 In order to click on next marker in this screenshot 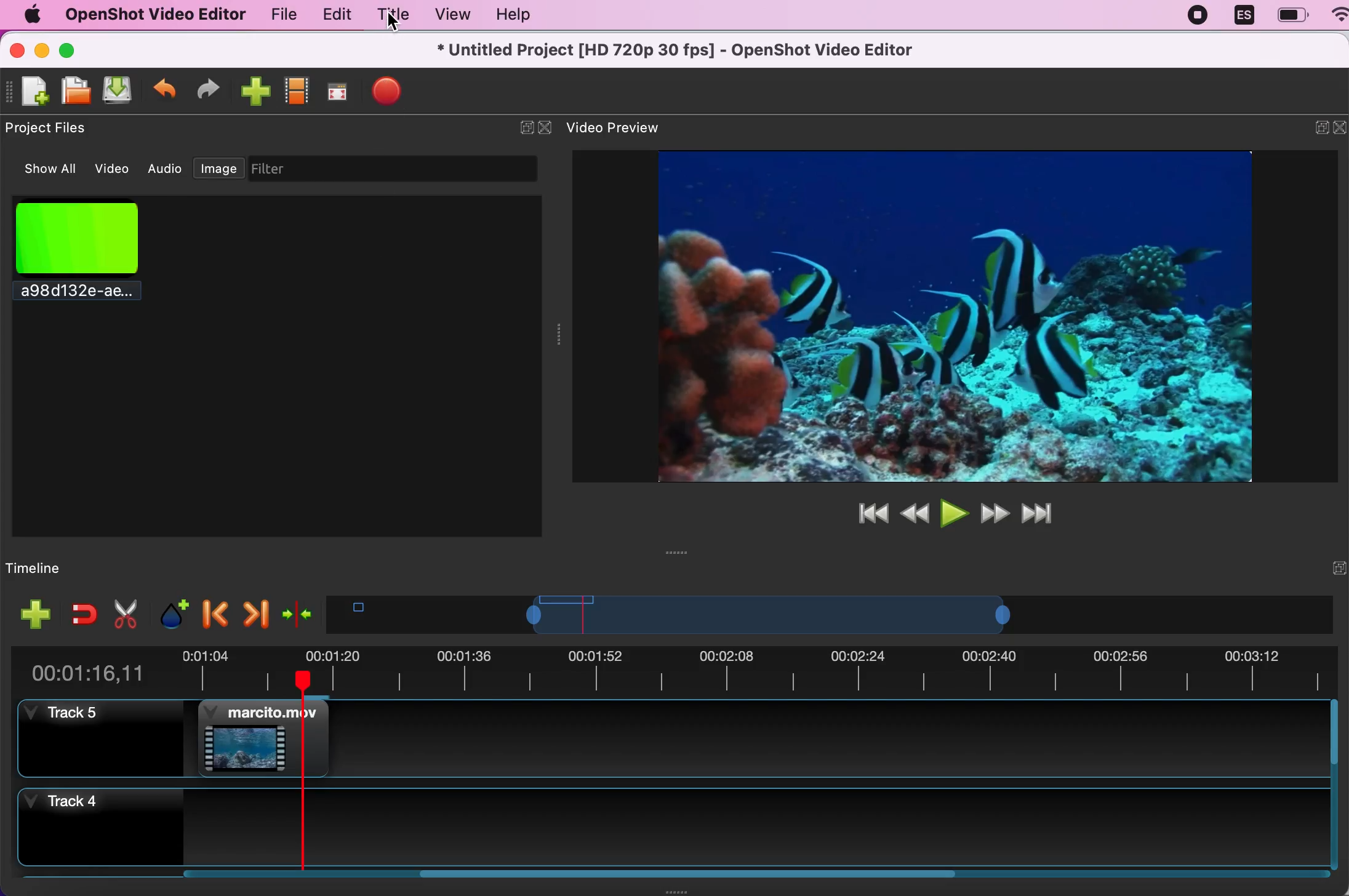, I will do `click(255, 610)`.